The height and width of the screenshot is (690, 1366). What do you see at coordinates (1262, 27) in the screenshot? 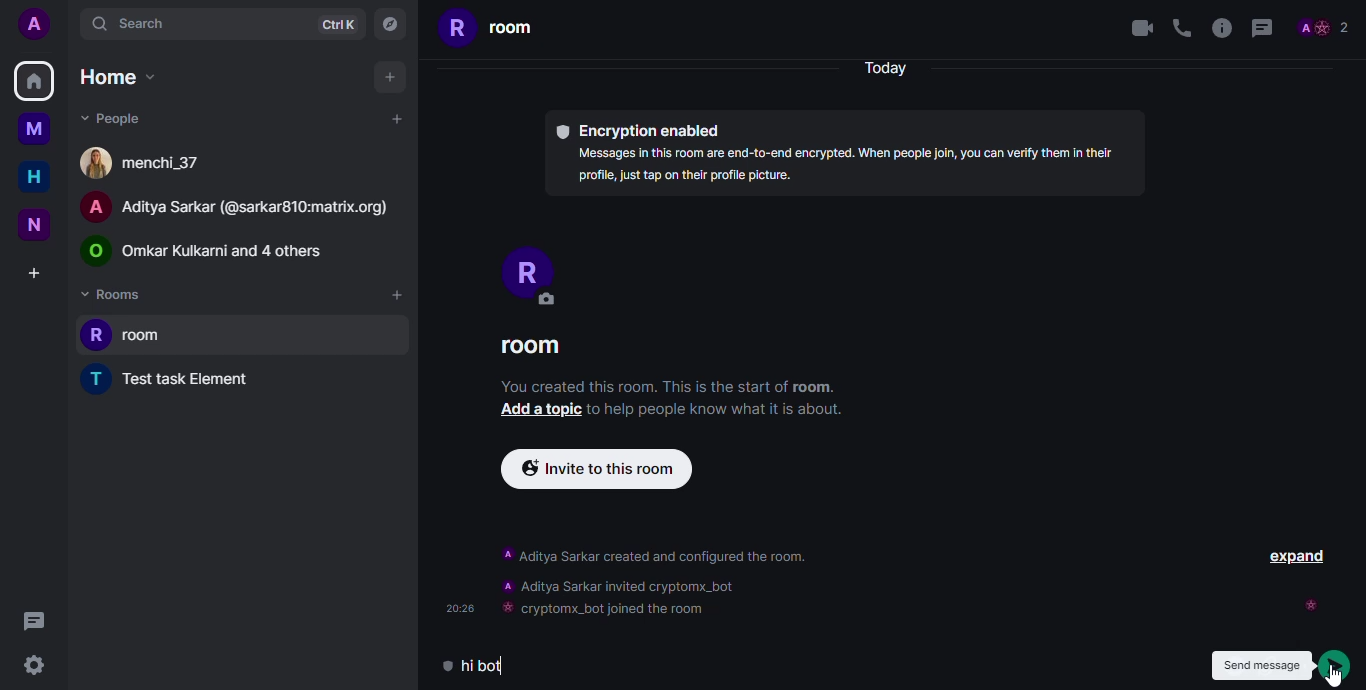
I see `threads` at bounding box center [1262, 27].